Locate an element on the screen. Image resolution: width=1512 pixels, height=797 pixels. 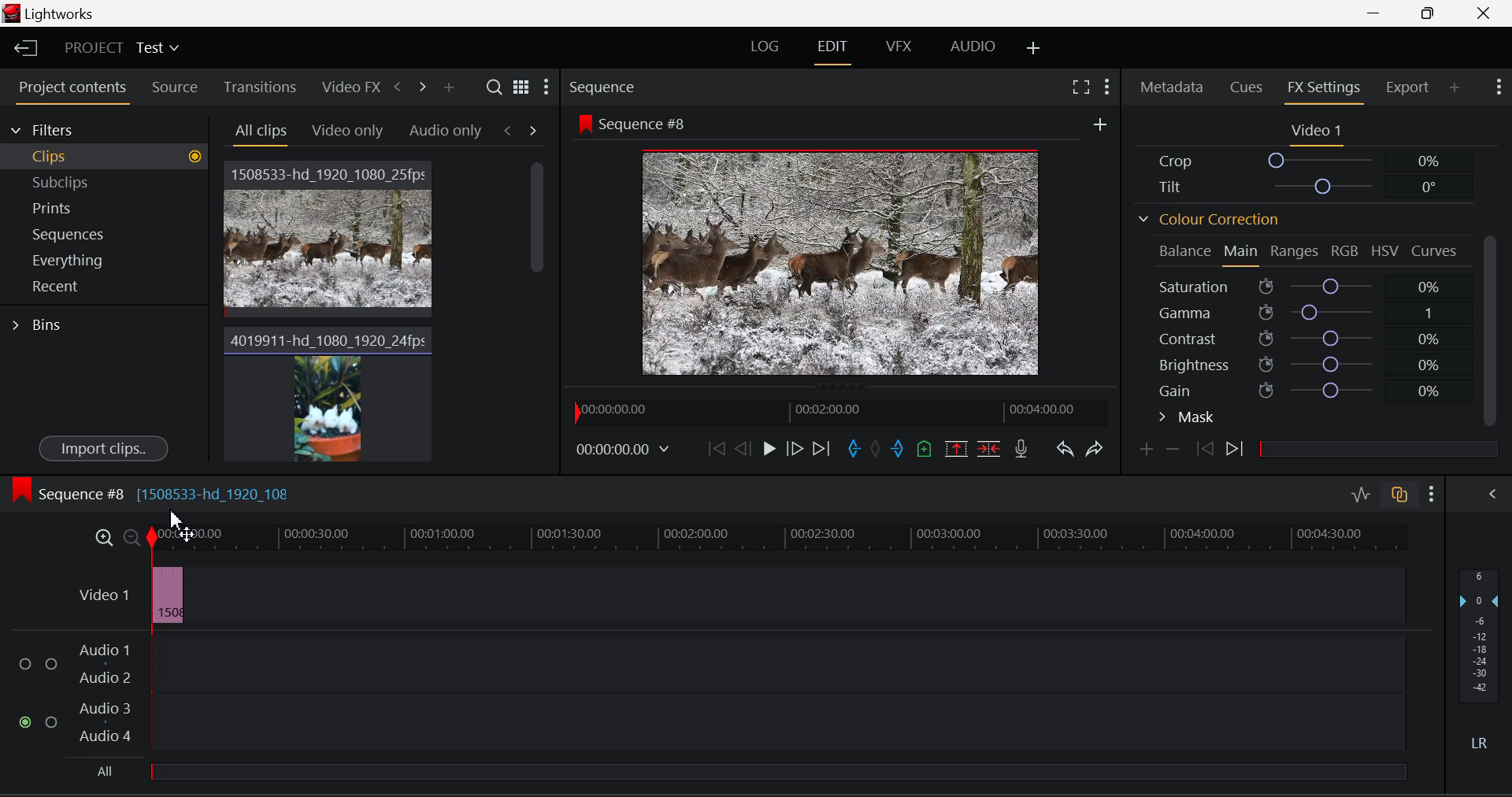
Add Cue is located at coordinates (925, 449).